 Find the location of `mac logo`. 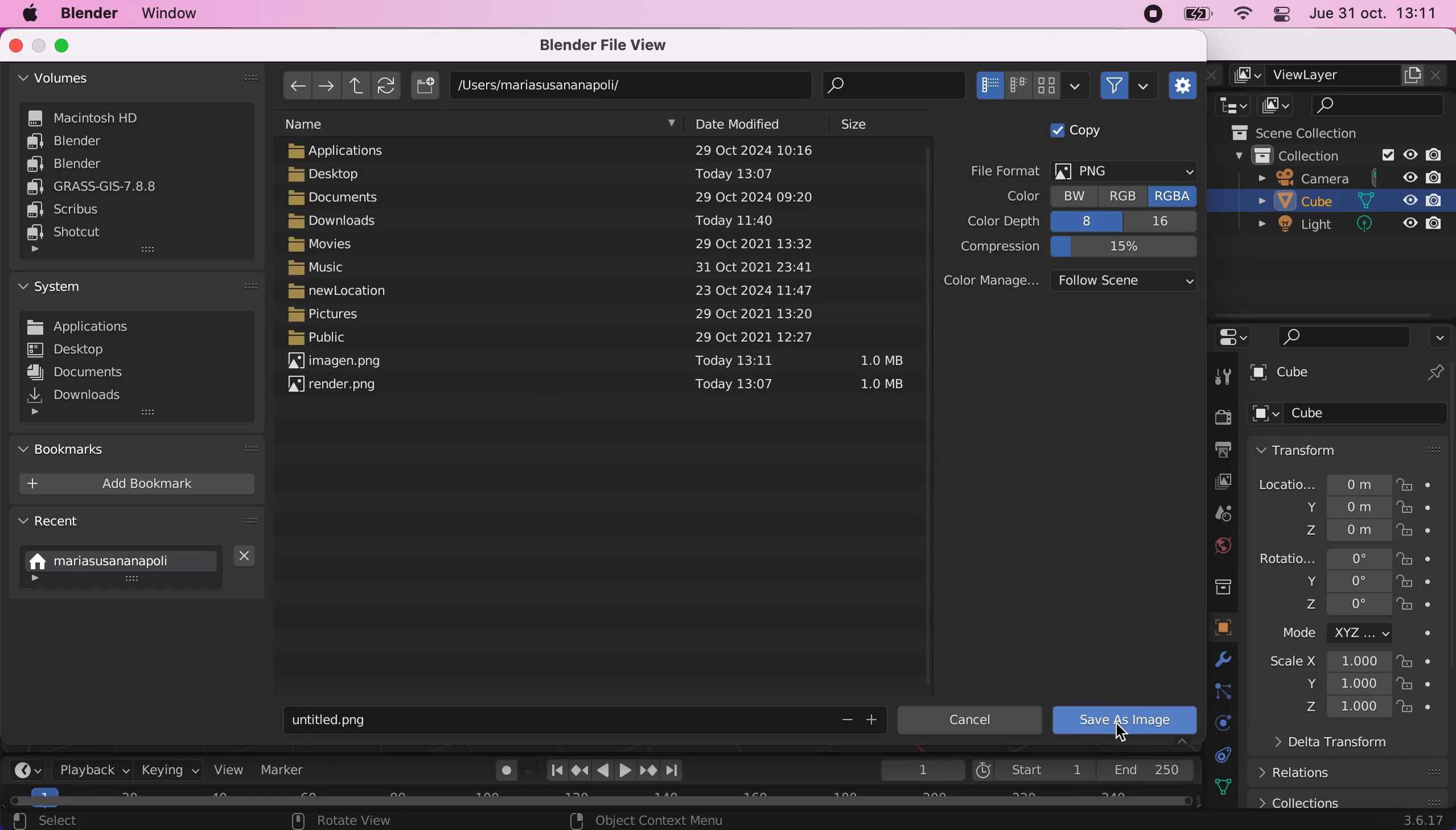

mac logo is located at coordinates (22, 12).